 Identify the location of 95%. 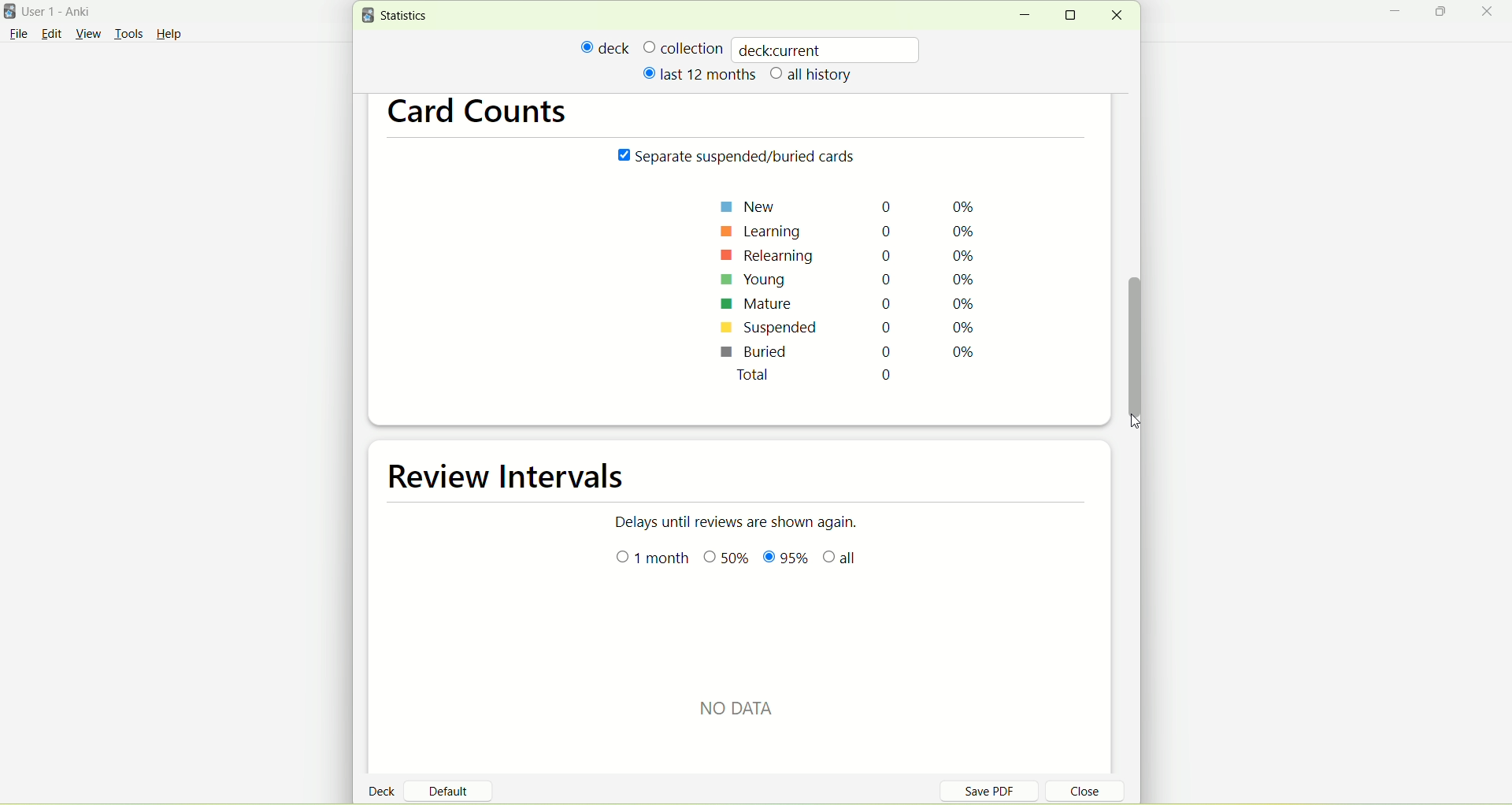
(785, 559).